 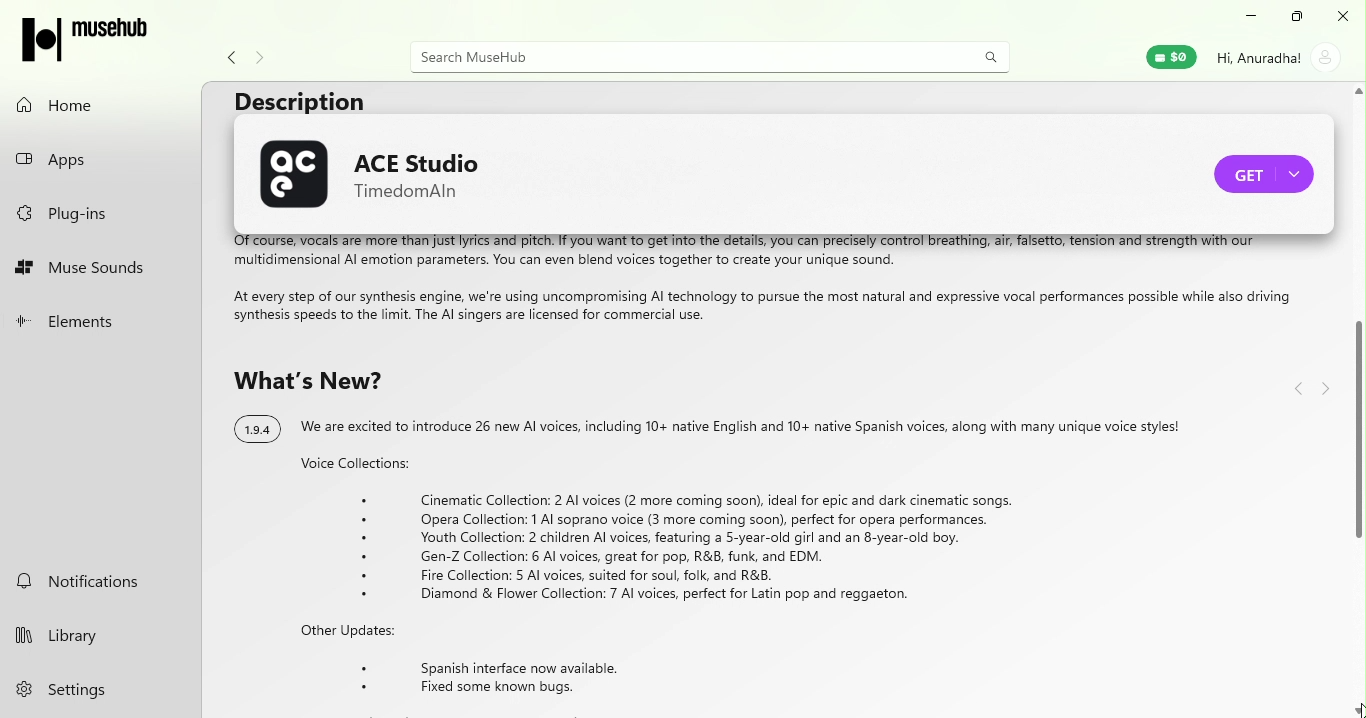 I want to click on plug-ins, so click(x=99, y=211).